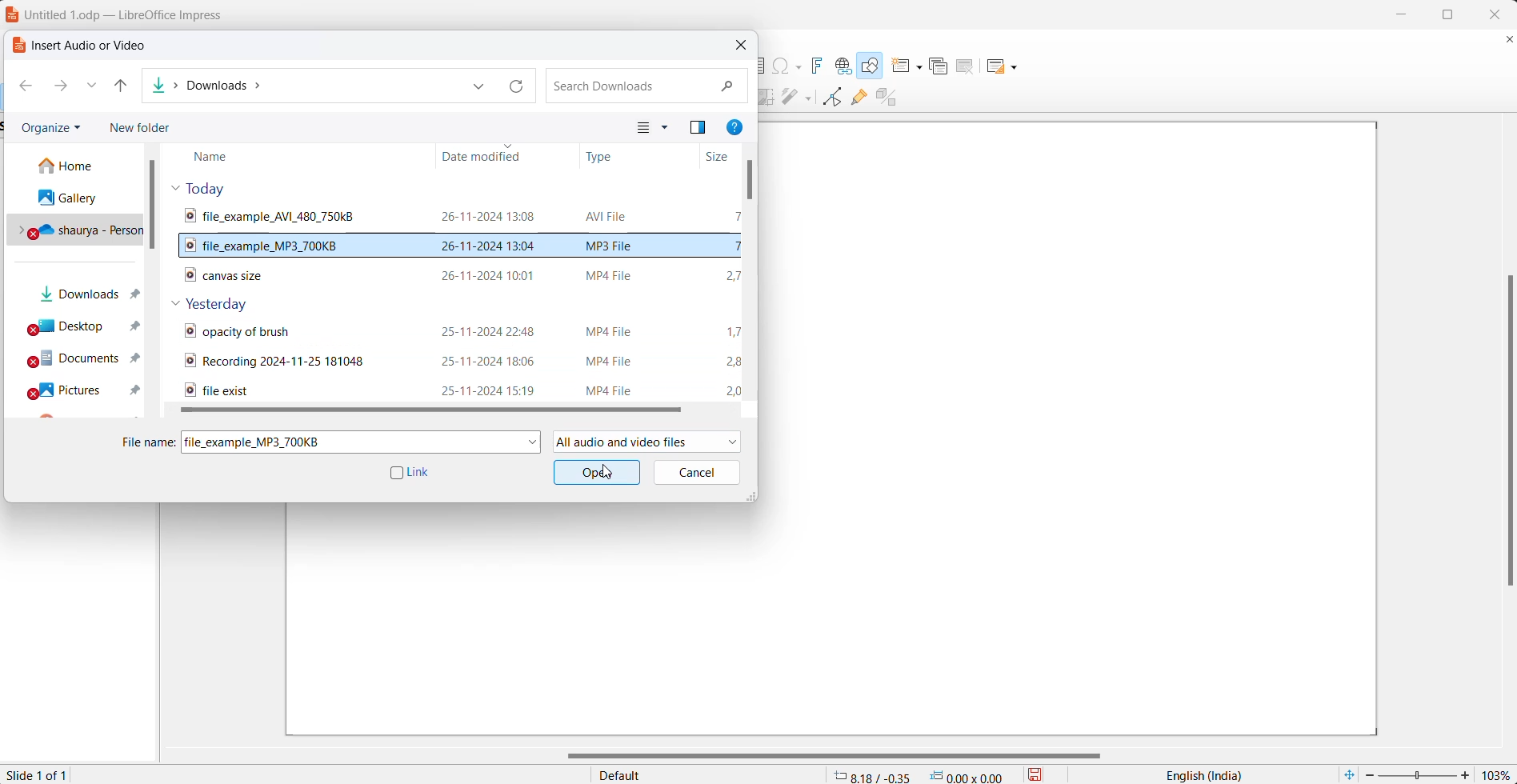  I want to click on minimize, so click(1399, 12).